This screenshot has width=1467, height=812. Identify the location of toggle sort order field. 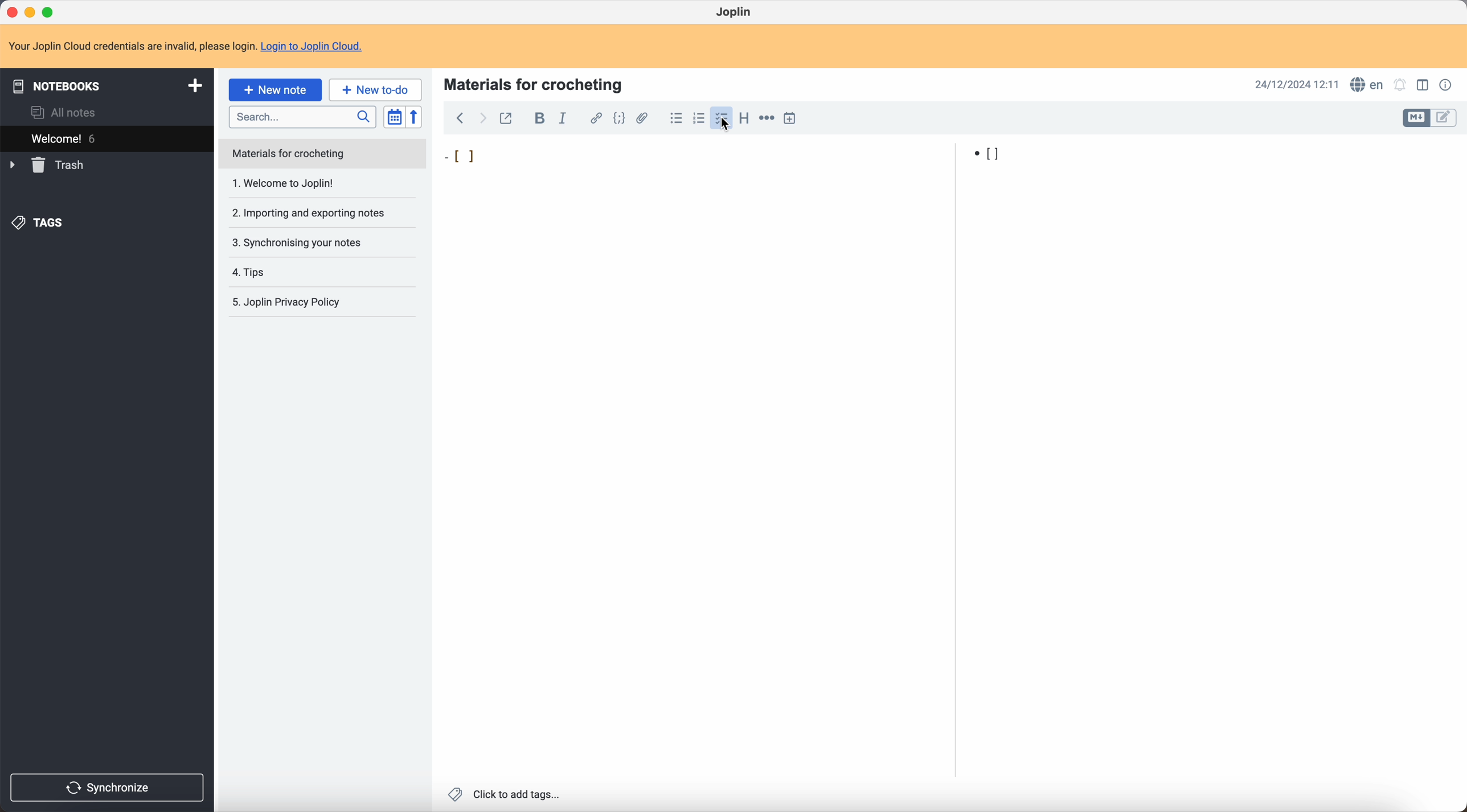
(395, 117).